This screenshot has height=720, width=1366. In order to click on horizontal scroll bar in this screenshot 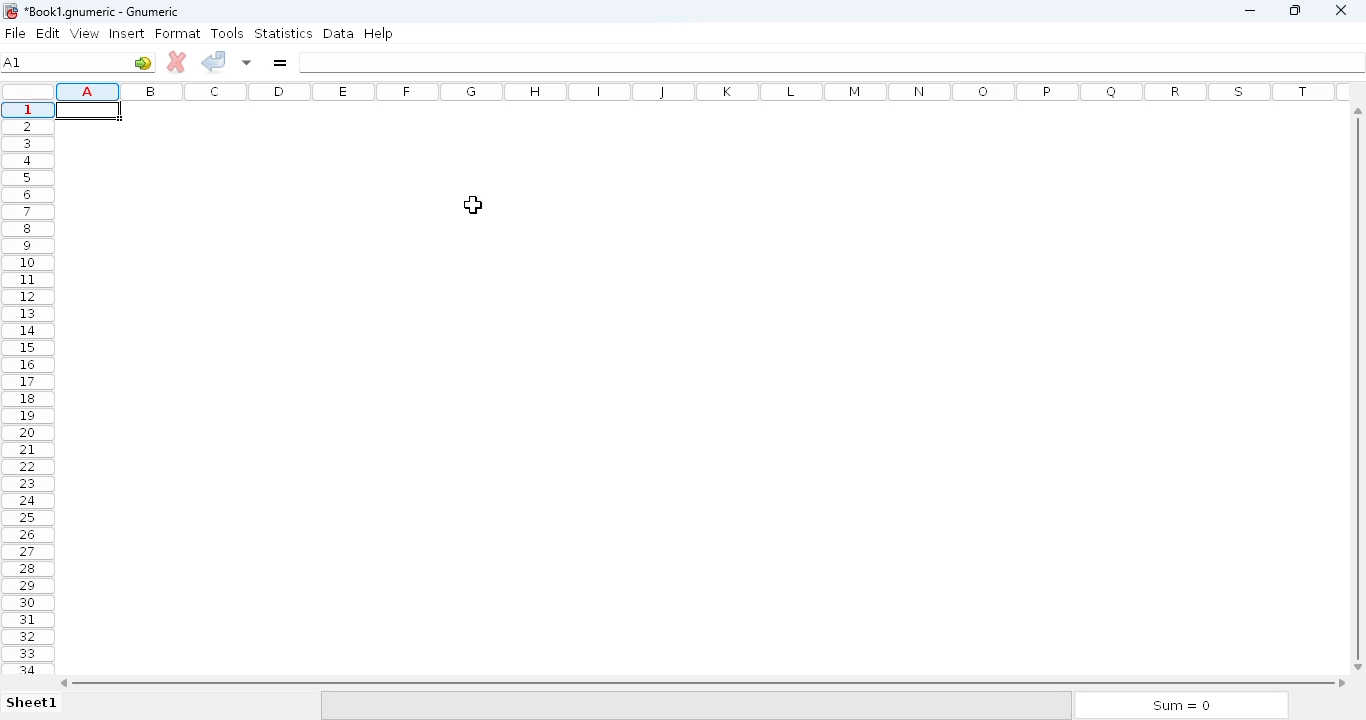, I will do `click(703, 682)`.